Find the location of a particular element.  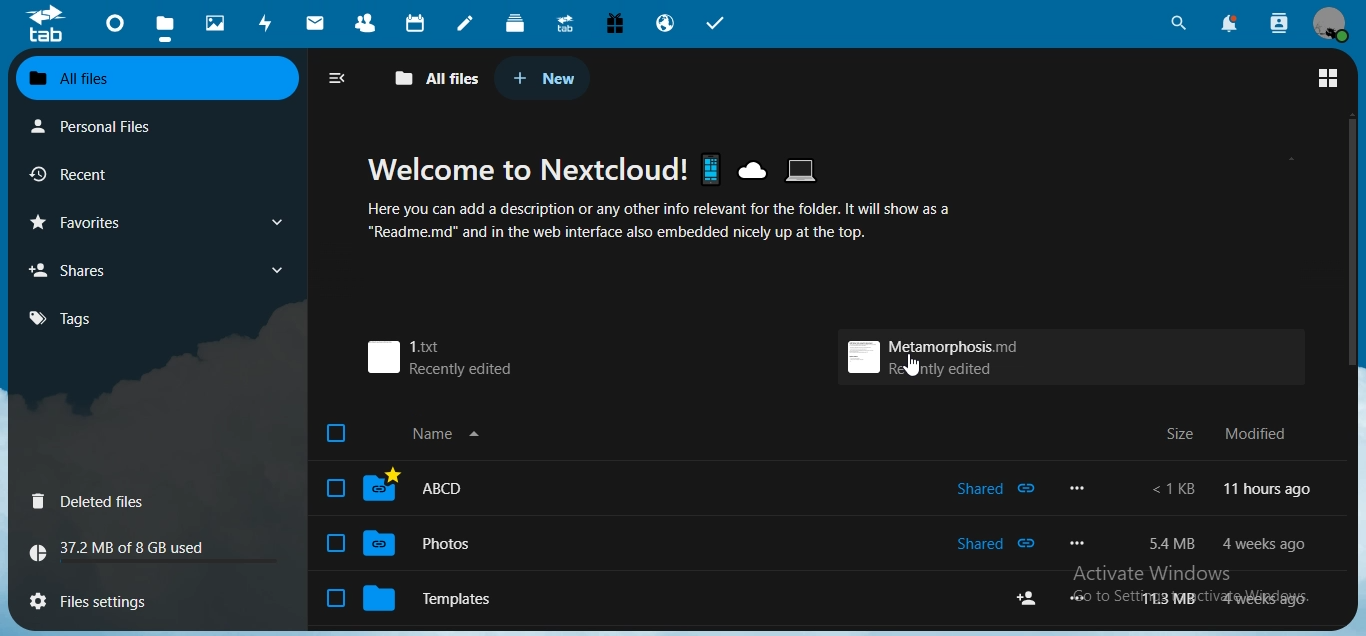

notes is located at coordinates (465, 24).